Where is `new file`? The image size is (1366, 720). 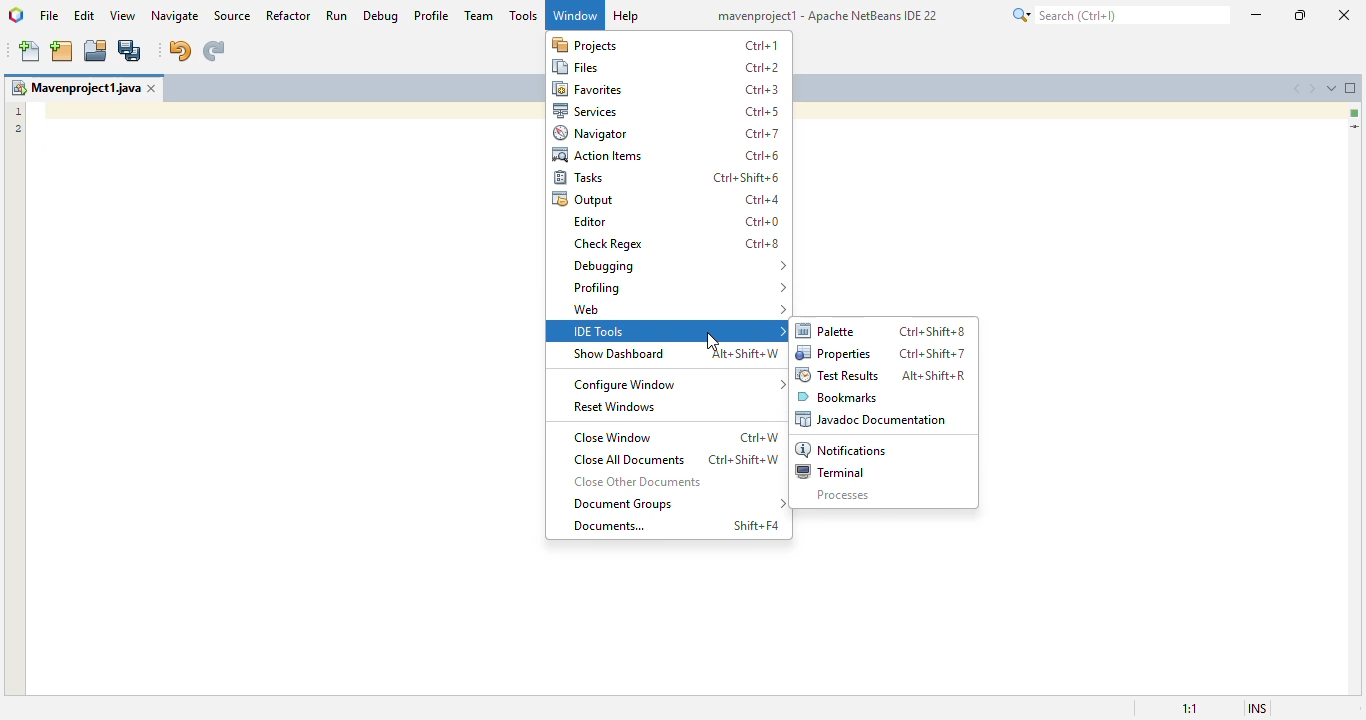 new file is located at coordinates (31, 52).